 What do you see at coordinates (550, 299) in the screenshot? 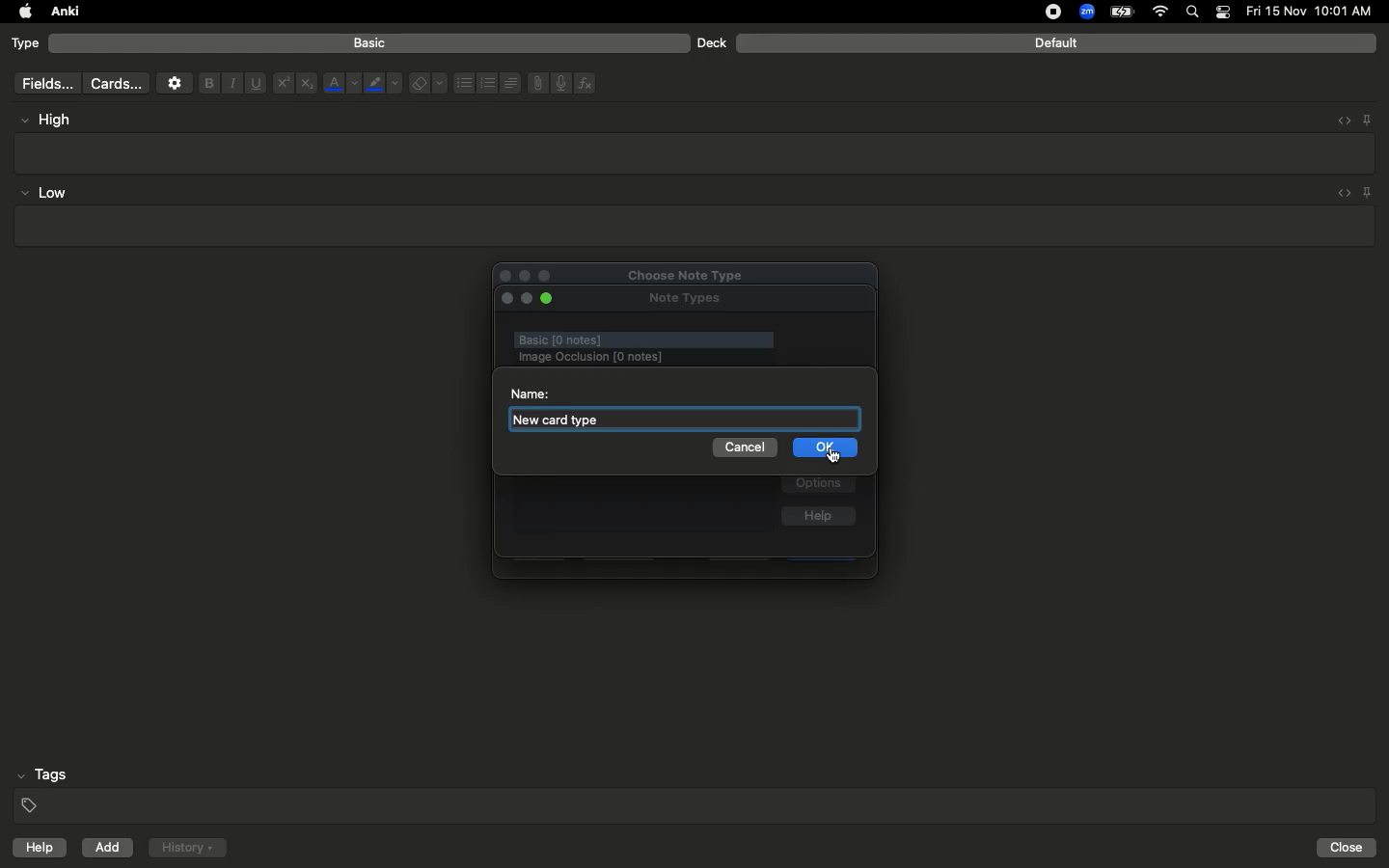
I see `maximize` at bounding box center [550, 299].